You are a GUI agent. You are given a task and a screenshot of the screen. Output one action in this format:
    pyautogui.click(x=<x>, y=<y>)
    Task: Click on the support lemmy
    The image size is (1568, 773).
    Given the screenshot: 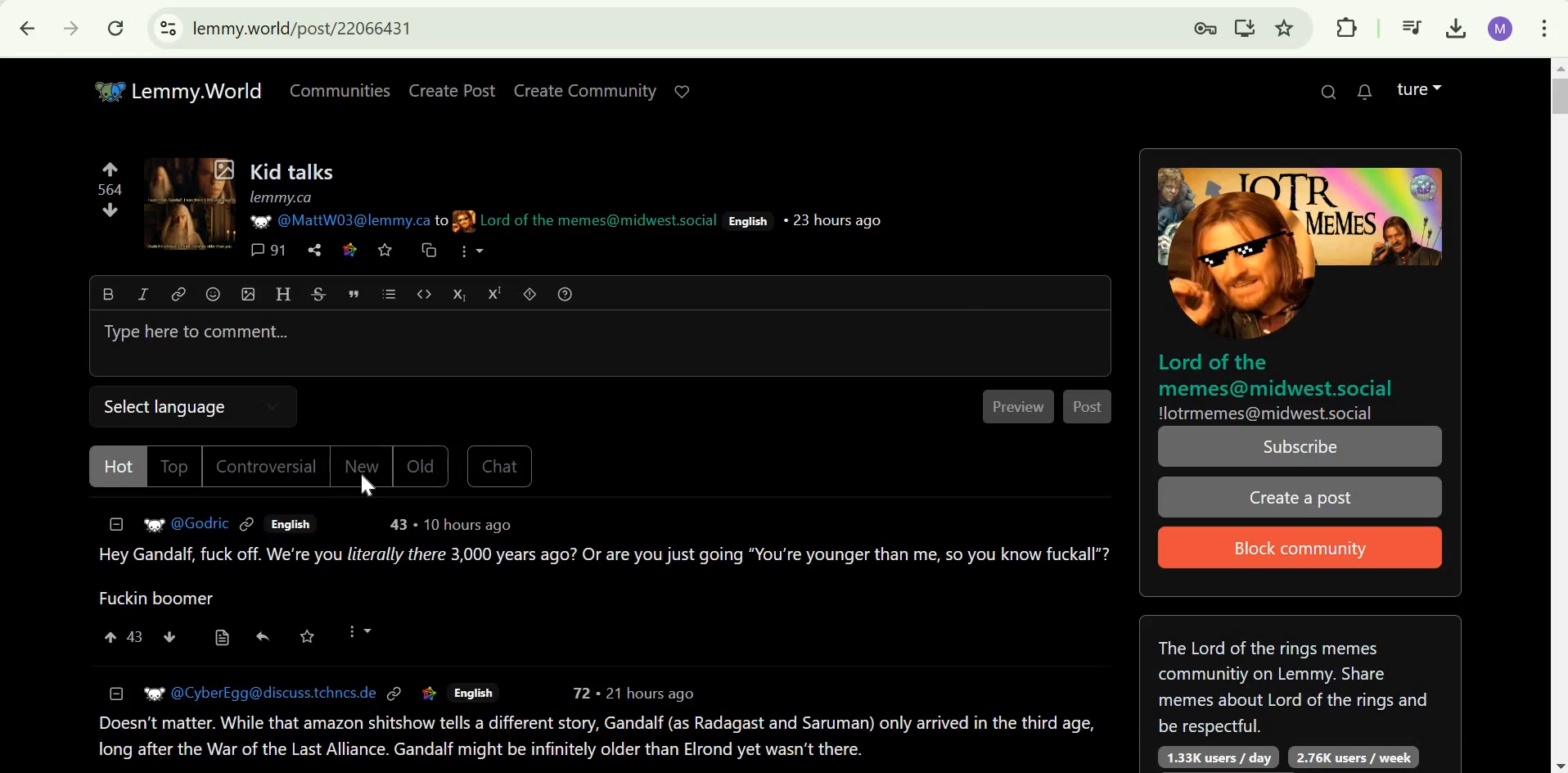 What is the action you would take?
    pyautogui.click(x=681, y=90)
    